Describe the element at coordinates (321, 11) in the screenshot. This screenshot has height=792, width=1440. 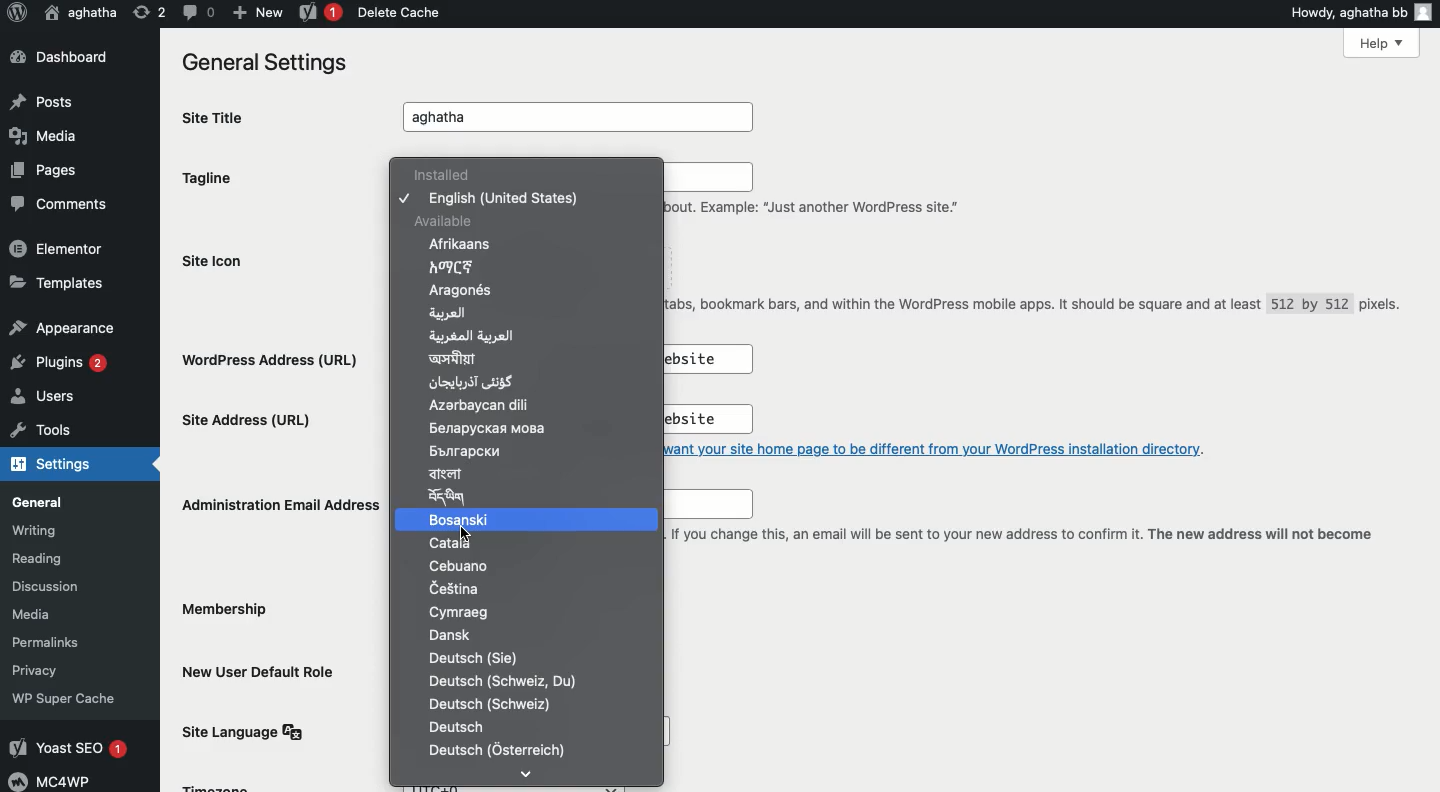
I see `Yoast` at that location.